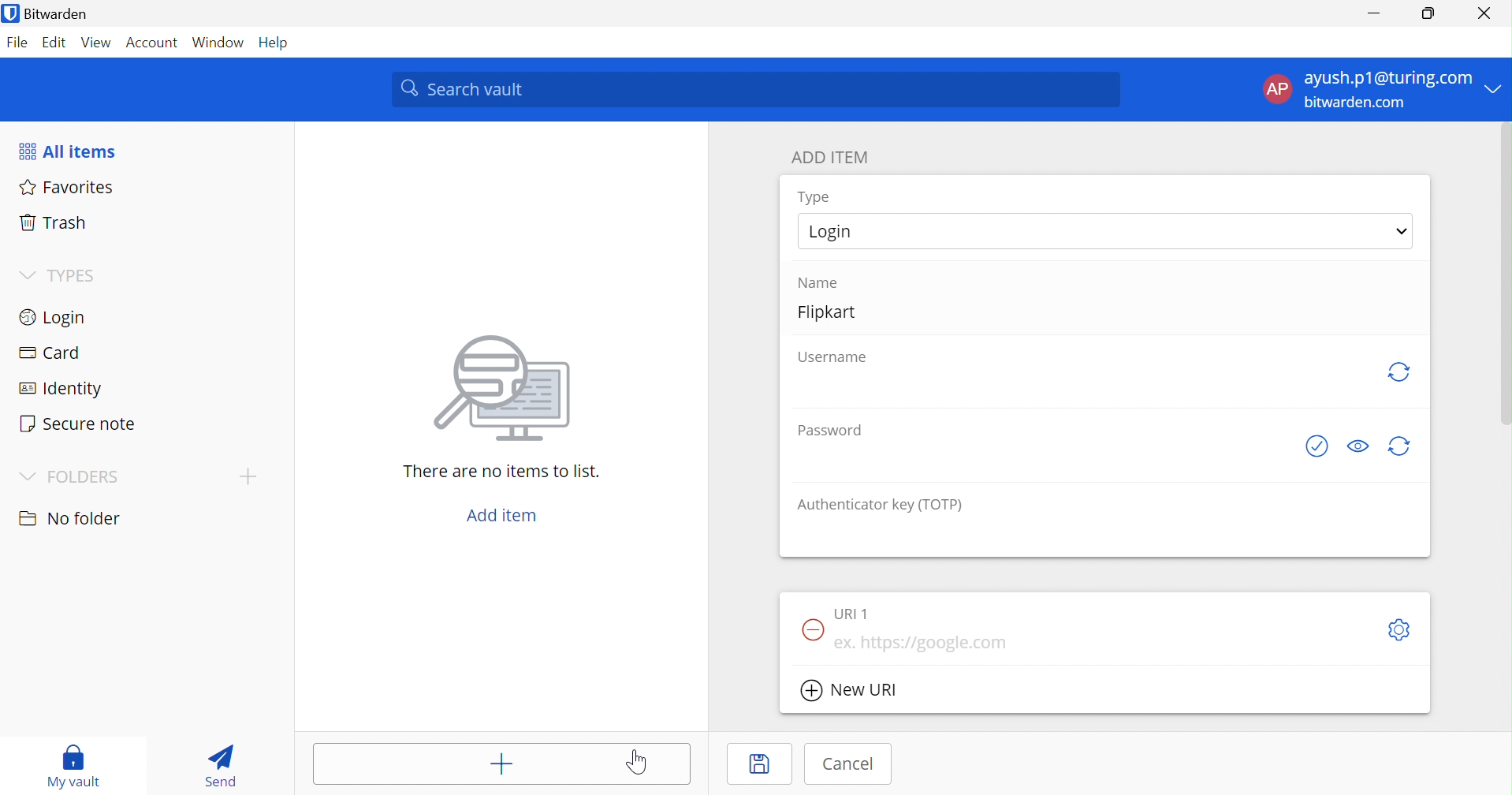 The height and width of the screenshot is (795, 1512). What do you see at coordinates (51, 42) in the screenshot?
I see `Edit` at bounding box center [51, 42].